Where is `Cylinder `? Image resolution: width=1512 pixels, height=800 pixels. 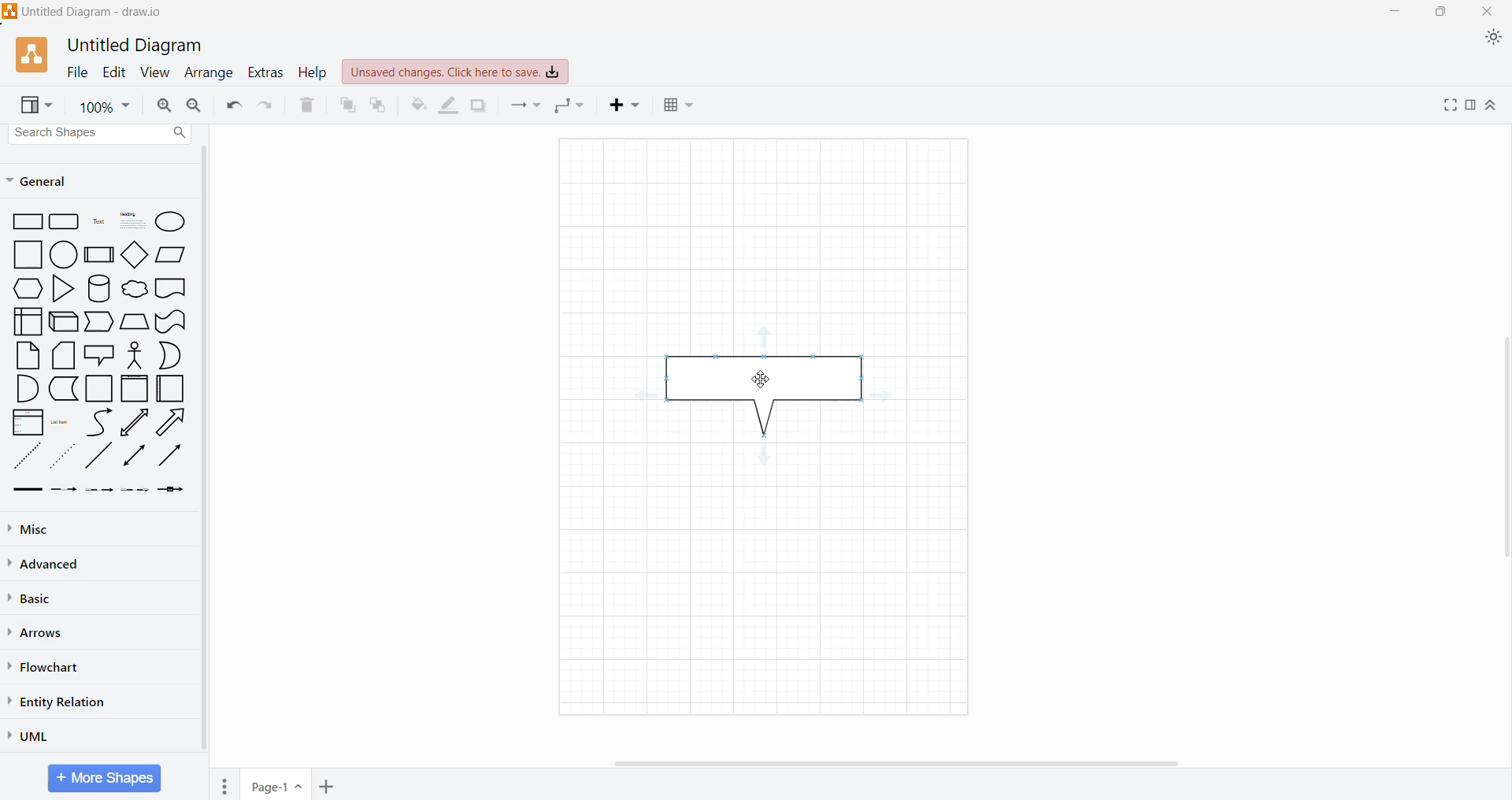 Cylinder  is located at coordinates (98, 288).